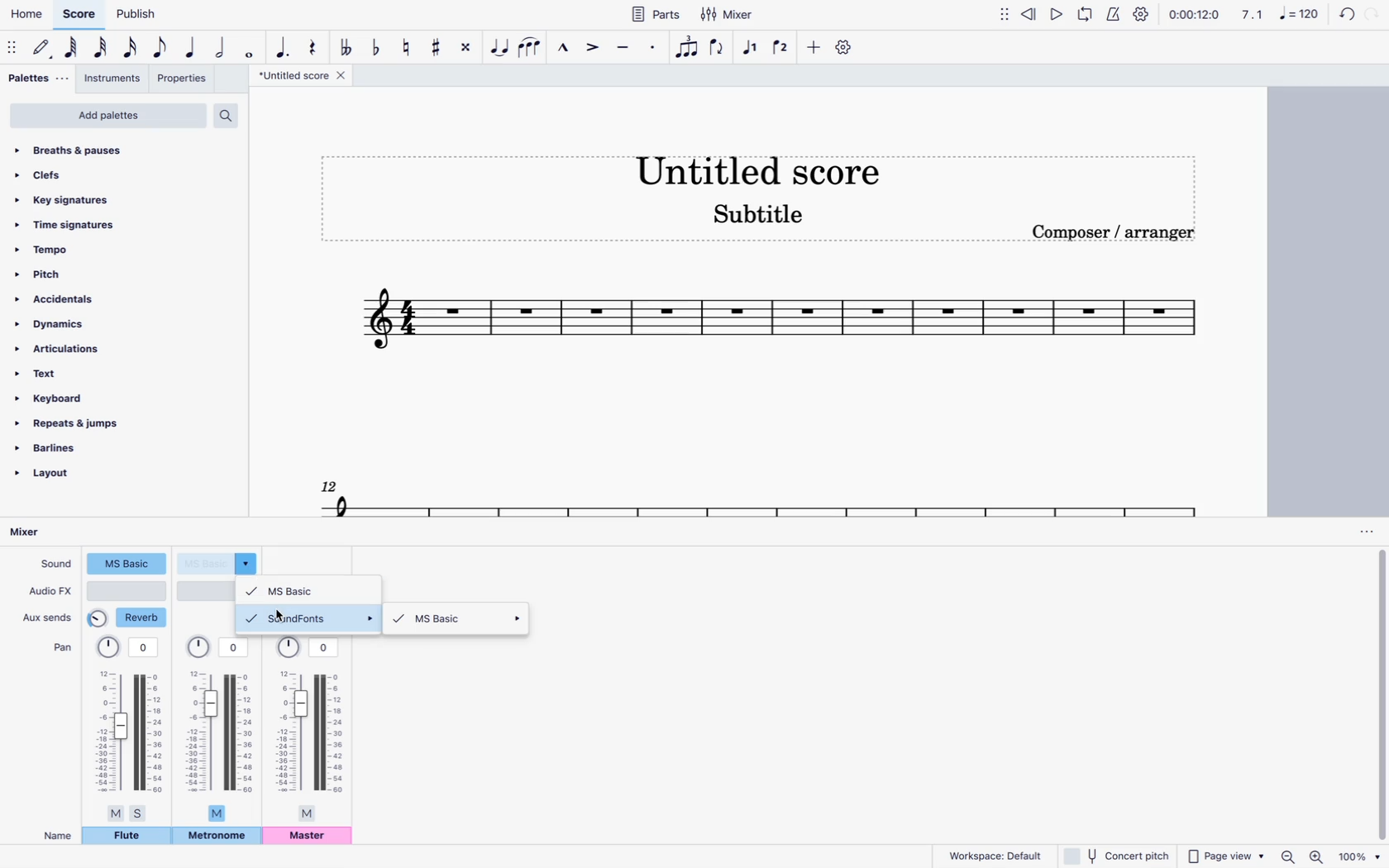 This screenshot has width=1389, height=868. Describe the element at coordinates (109, 197) in the screenshot. I see `key signatures` at that location.